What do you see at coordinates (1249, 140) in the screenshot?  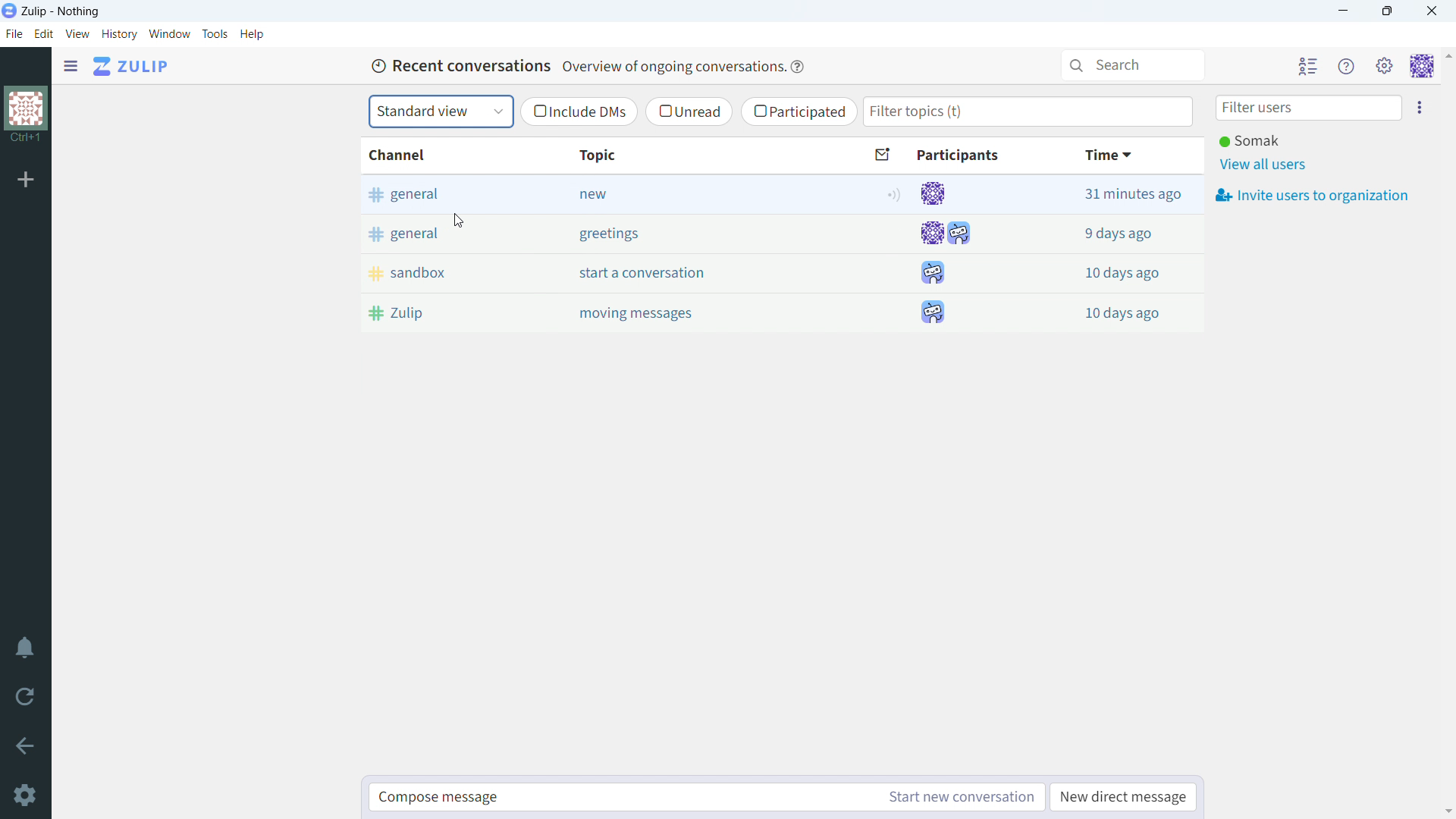 I see `active user` at bounding box center [1249, 140].